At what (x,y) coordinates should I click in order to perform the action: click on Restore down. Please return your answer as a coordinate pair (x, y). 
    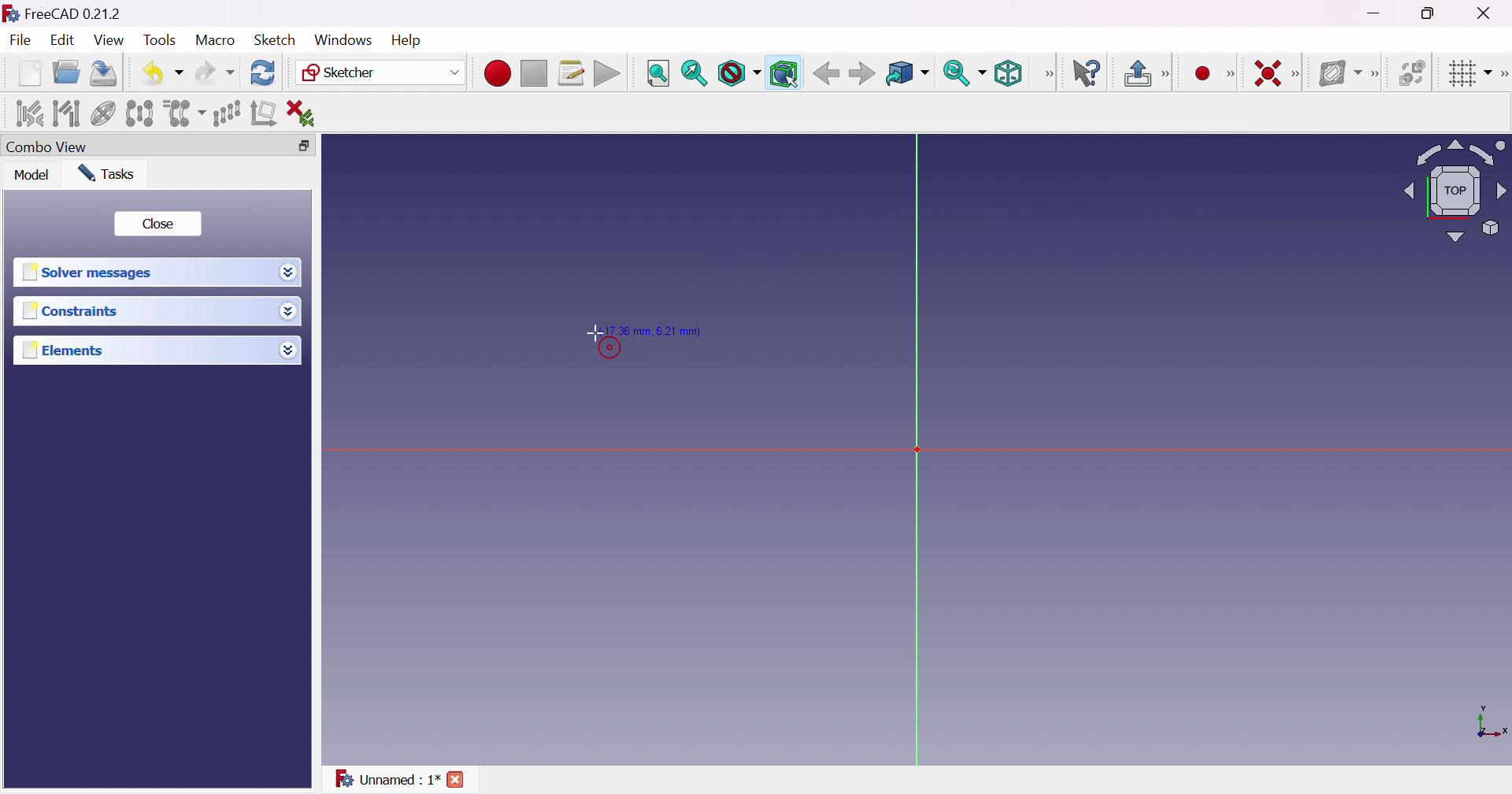
    Looking at the image, I should click on (1429, 15).